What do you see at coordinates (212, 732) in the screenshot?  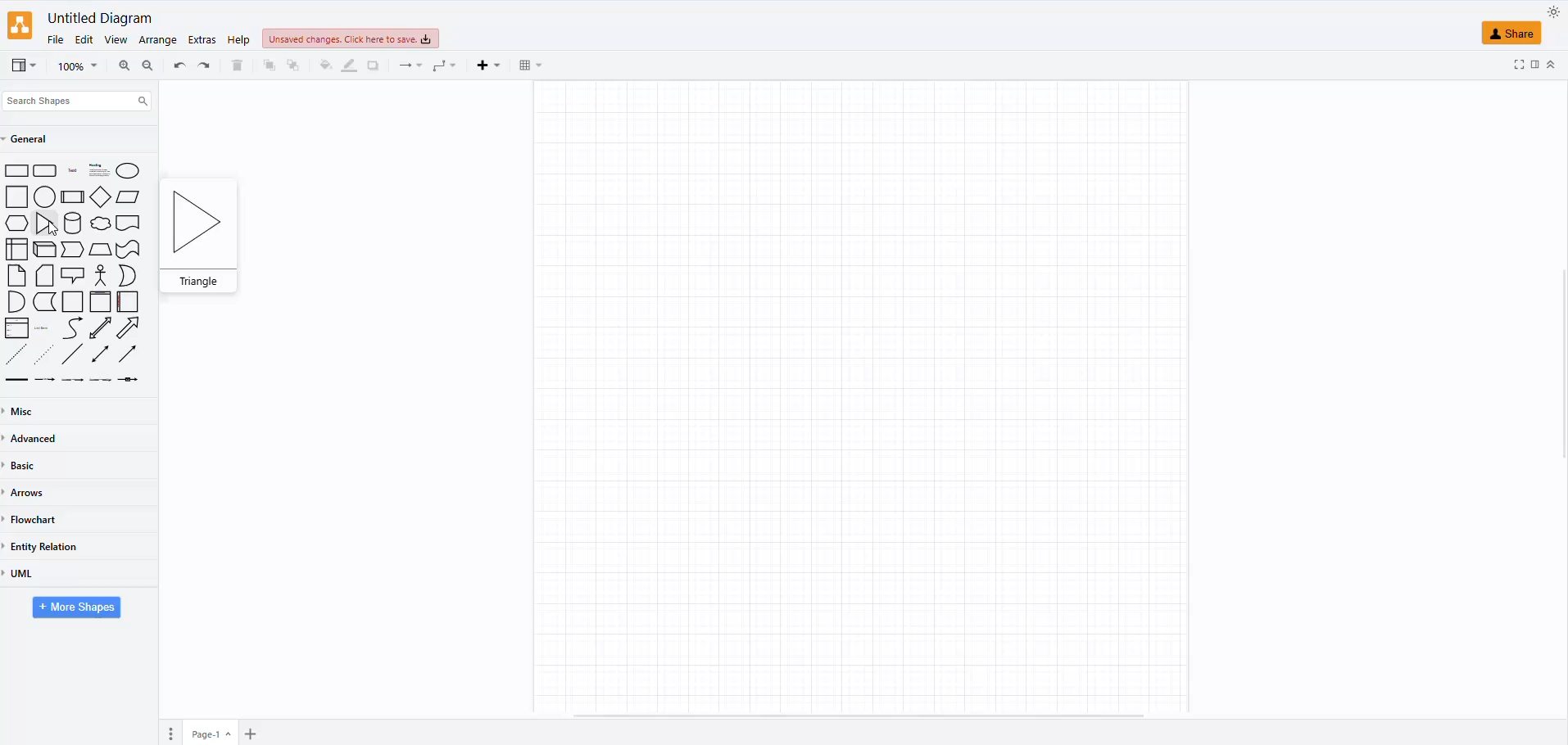 I see `page 1` at bounding box center [212, 732].